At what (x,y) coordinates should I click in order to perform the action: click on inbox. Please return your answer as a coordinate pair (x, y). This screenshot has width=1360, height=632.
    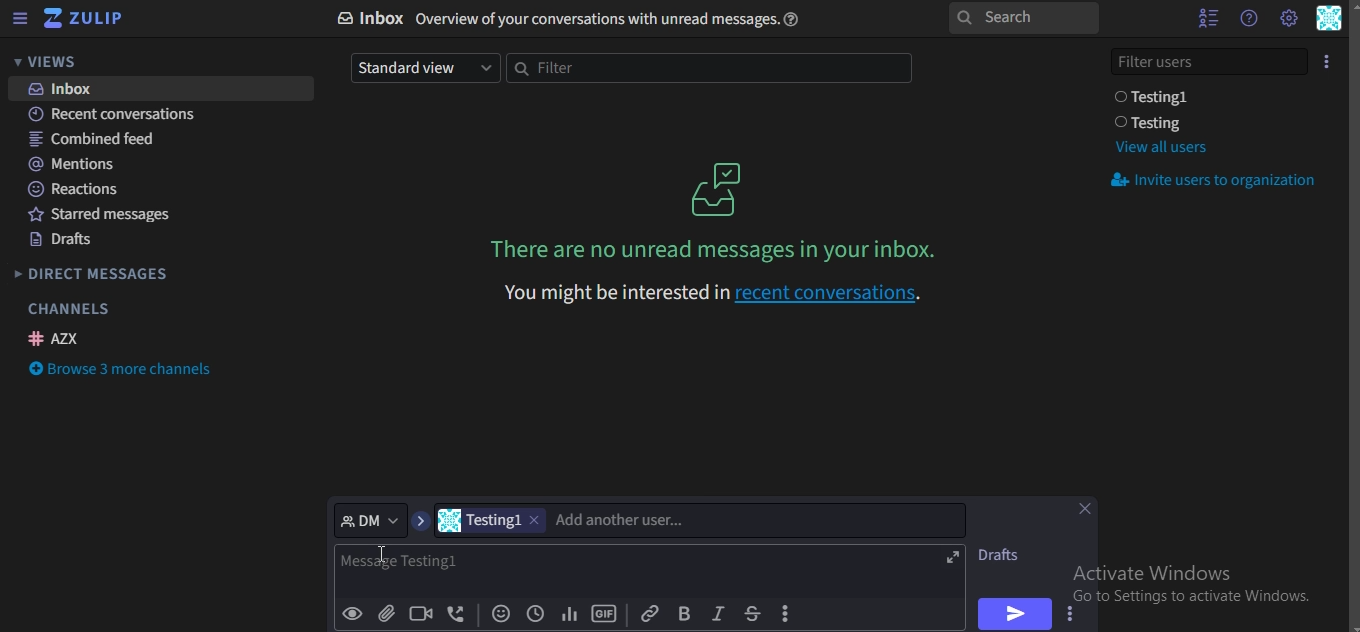
    Looking at the image, I should click on (67, 89).